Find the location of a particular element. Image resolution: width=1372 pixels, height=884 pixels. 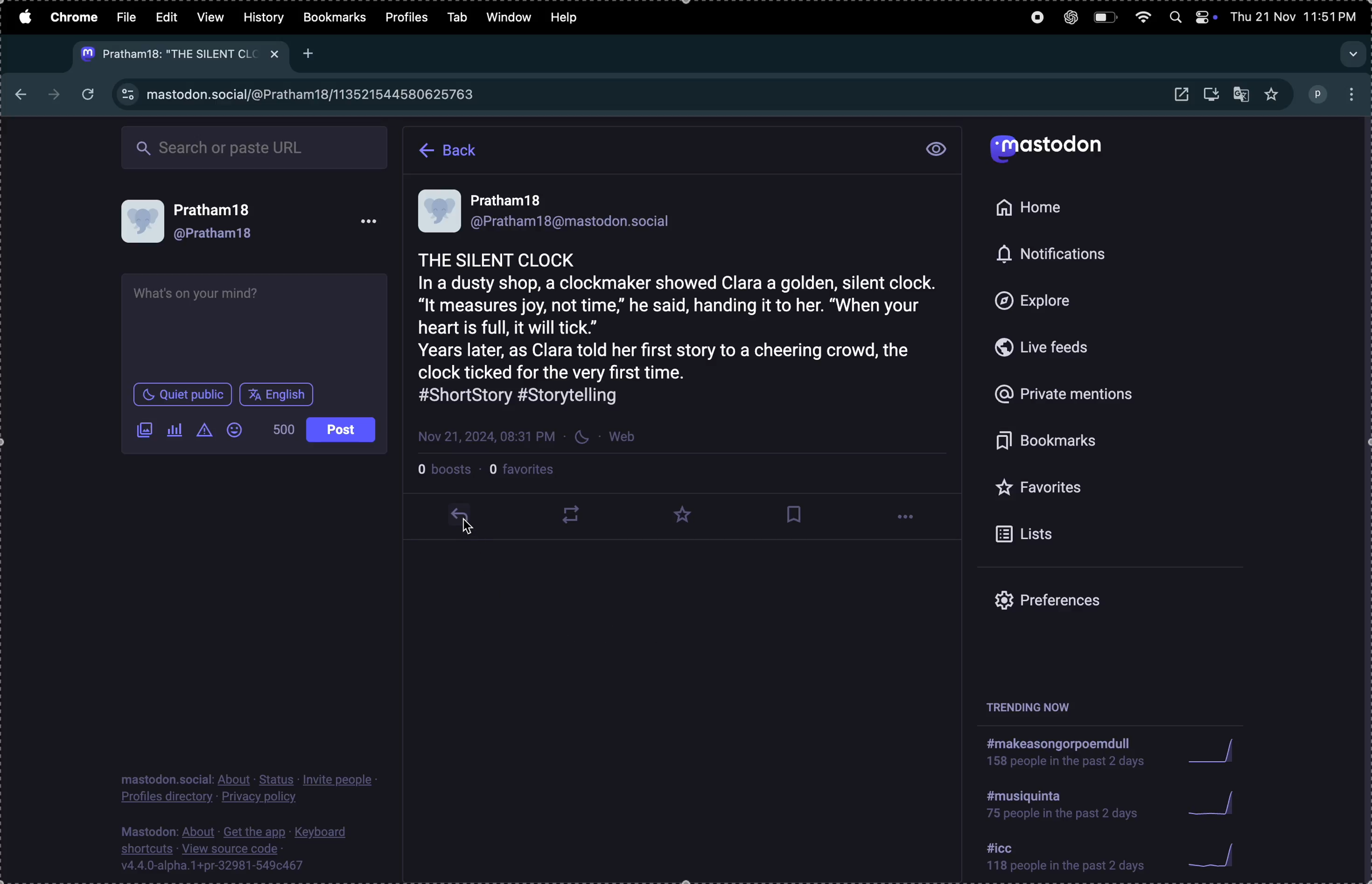

cursor is located at coordinates (469, 530).